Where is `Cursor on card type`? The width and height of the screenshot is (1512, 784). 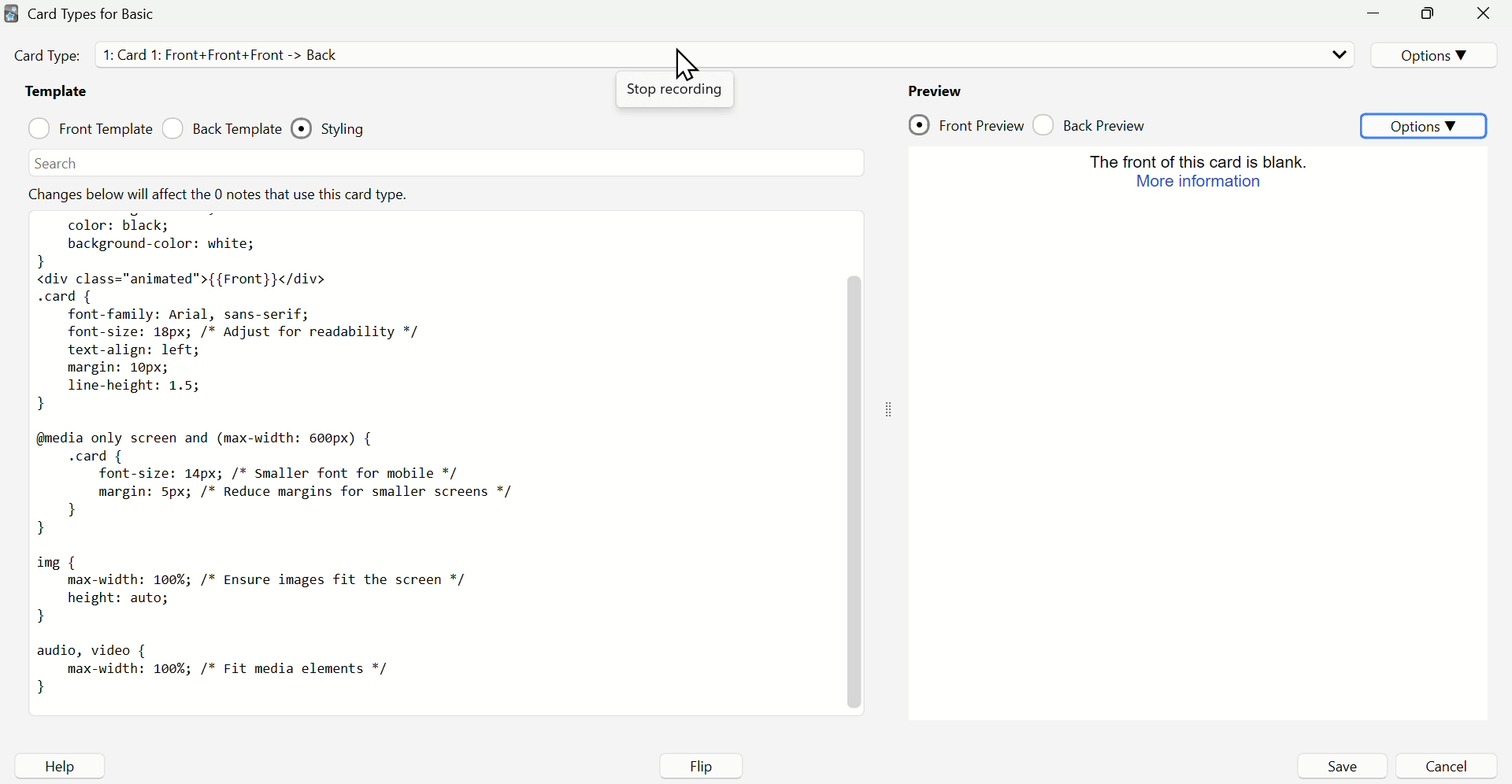
Cursor on card type is located at coordinates (684, 68).